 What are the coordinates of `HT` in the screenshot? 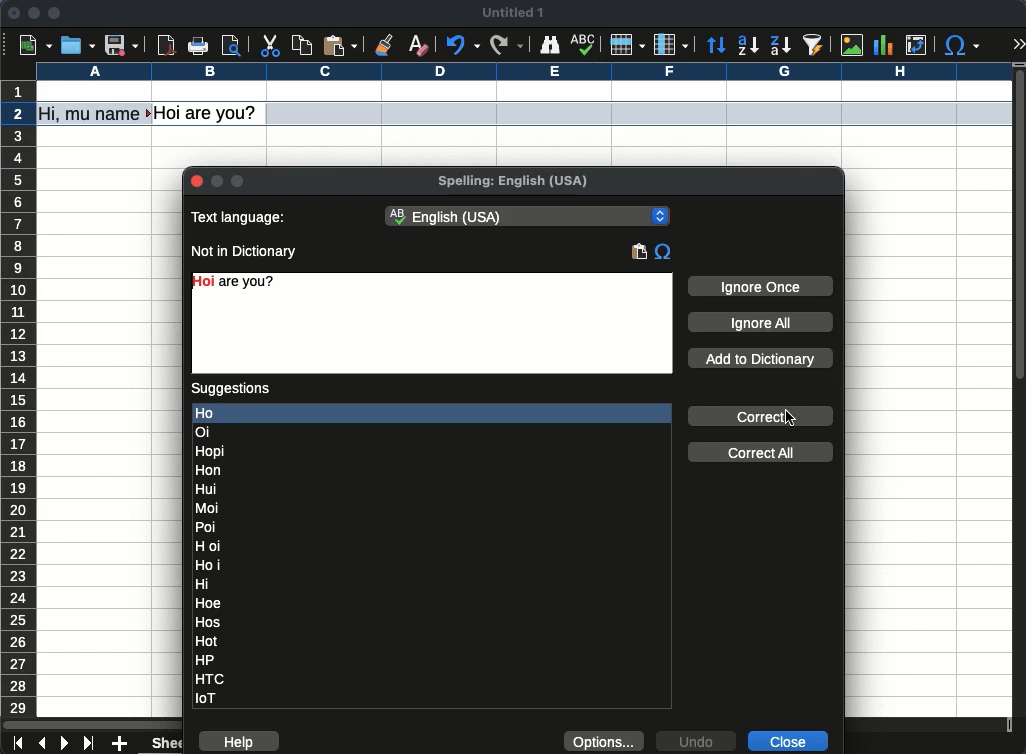 It's located at (213, 679).